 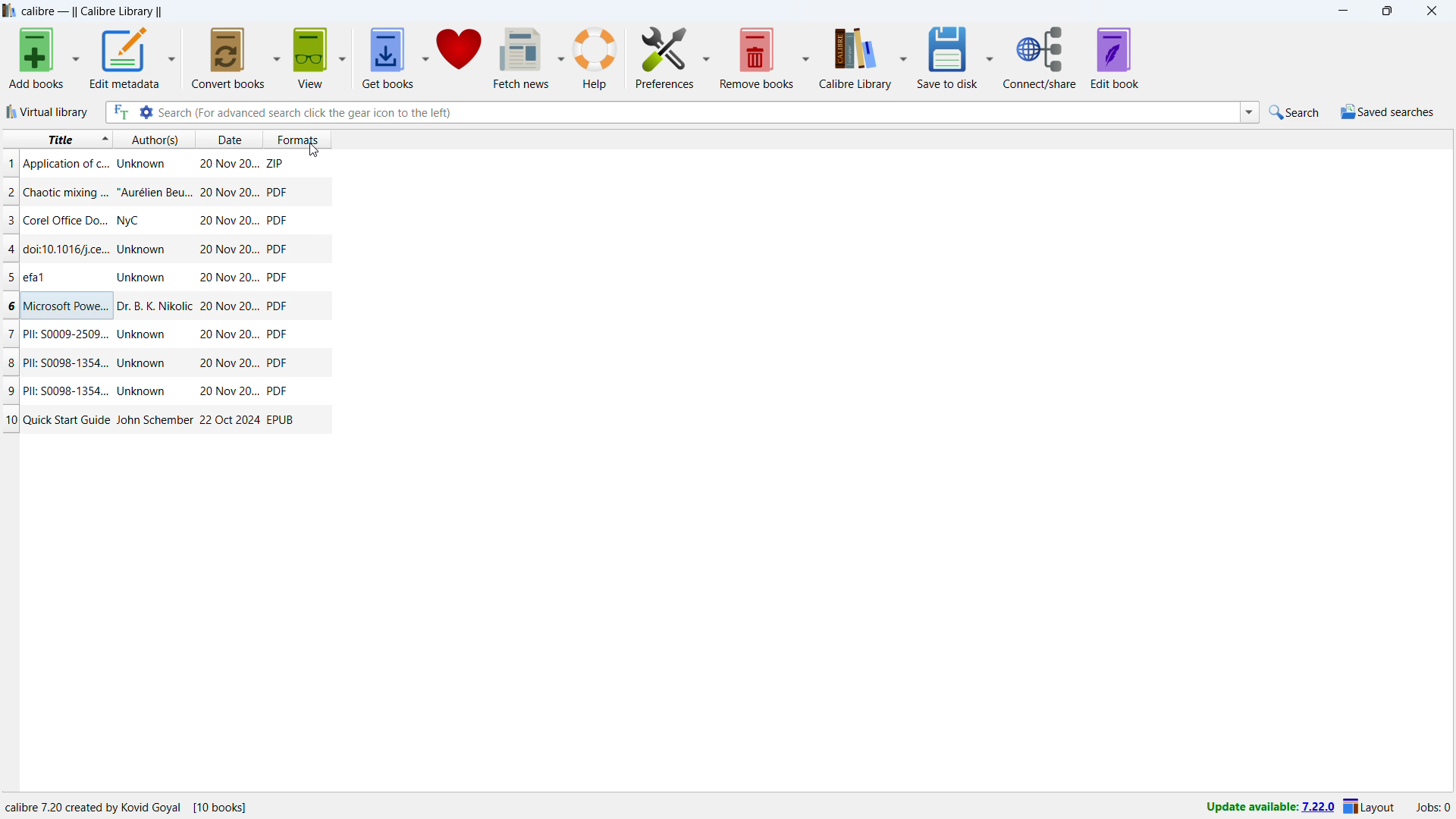 What do you see at coordinates (343, 57) in the screenshot?
I see `view options` at bounding box center [343, 57].